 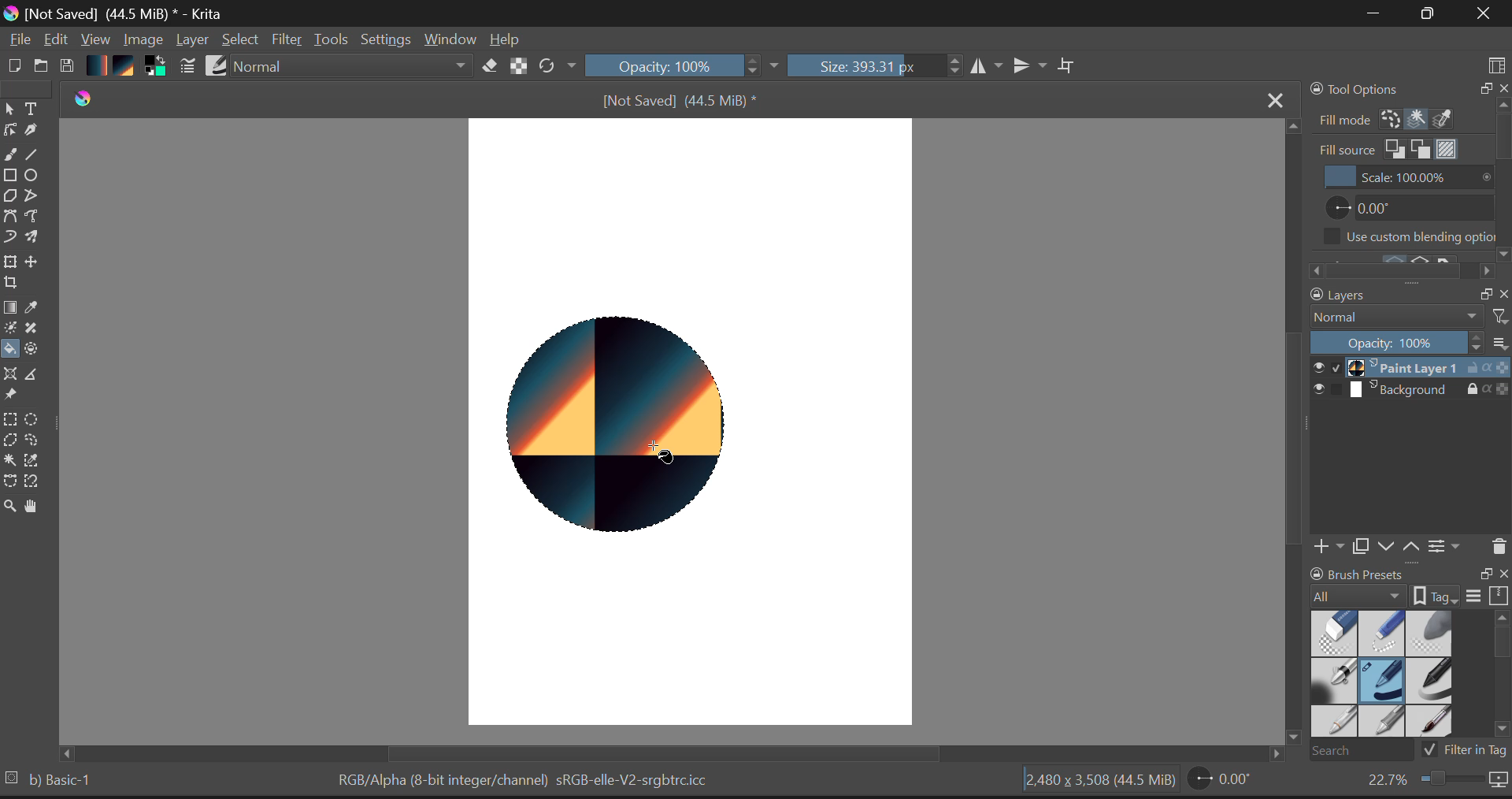 What do you see at coordinates (1408, 103) in the screenshot?
I see `Tools Options Docker` at bounding box center [1408, 103].